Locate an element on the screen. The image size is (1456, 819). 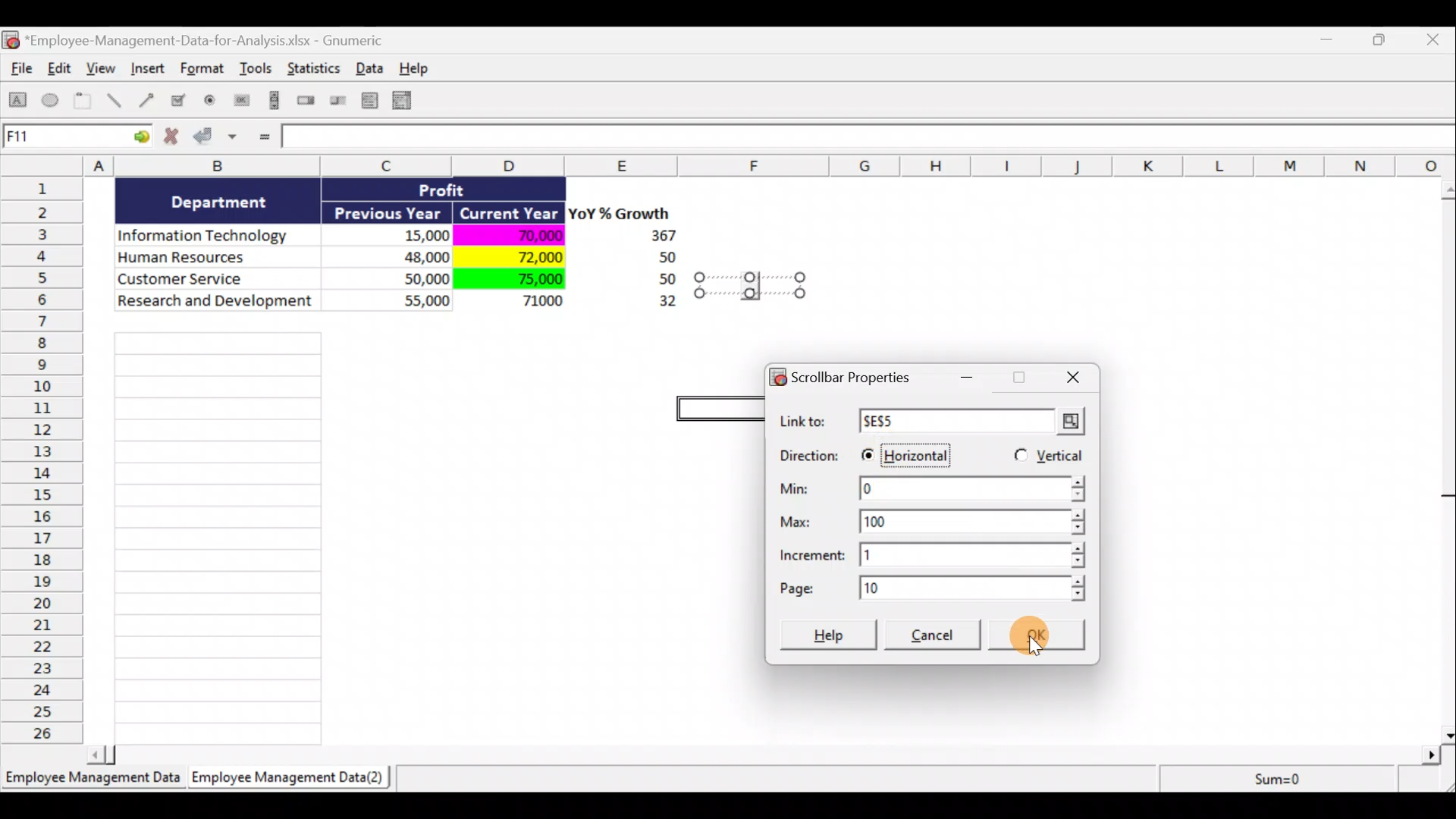
Minimise is located at coordinates (1330, 42).